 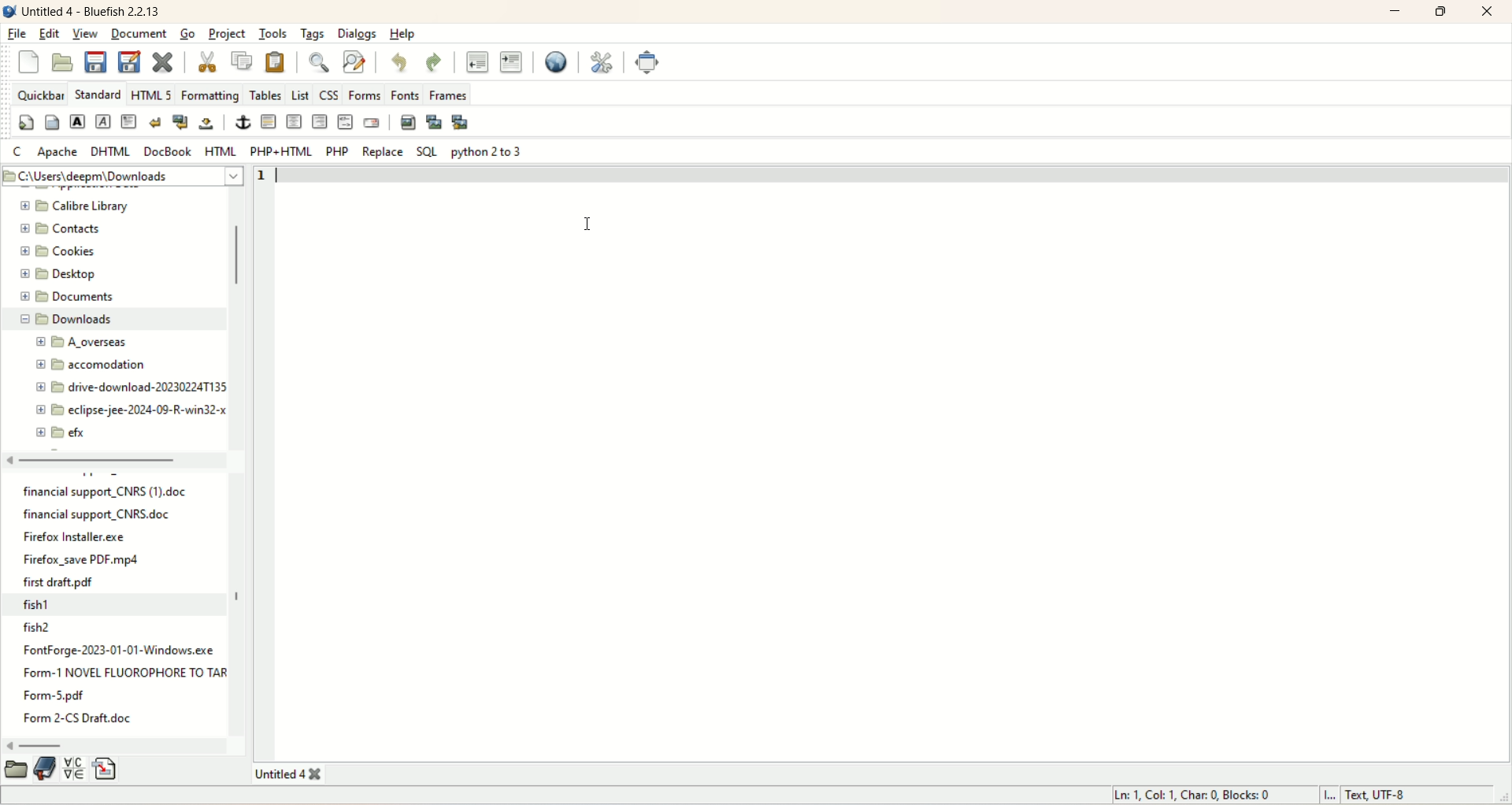 What do you see at coordinates (402, 35) in the screenshot?
I see `help` at bounding box center [402, 35].